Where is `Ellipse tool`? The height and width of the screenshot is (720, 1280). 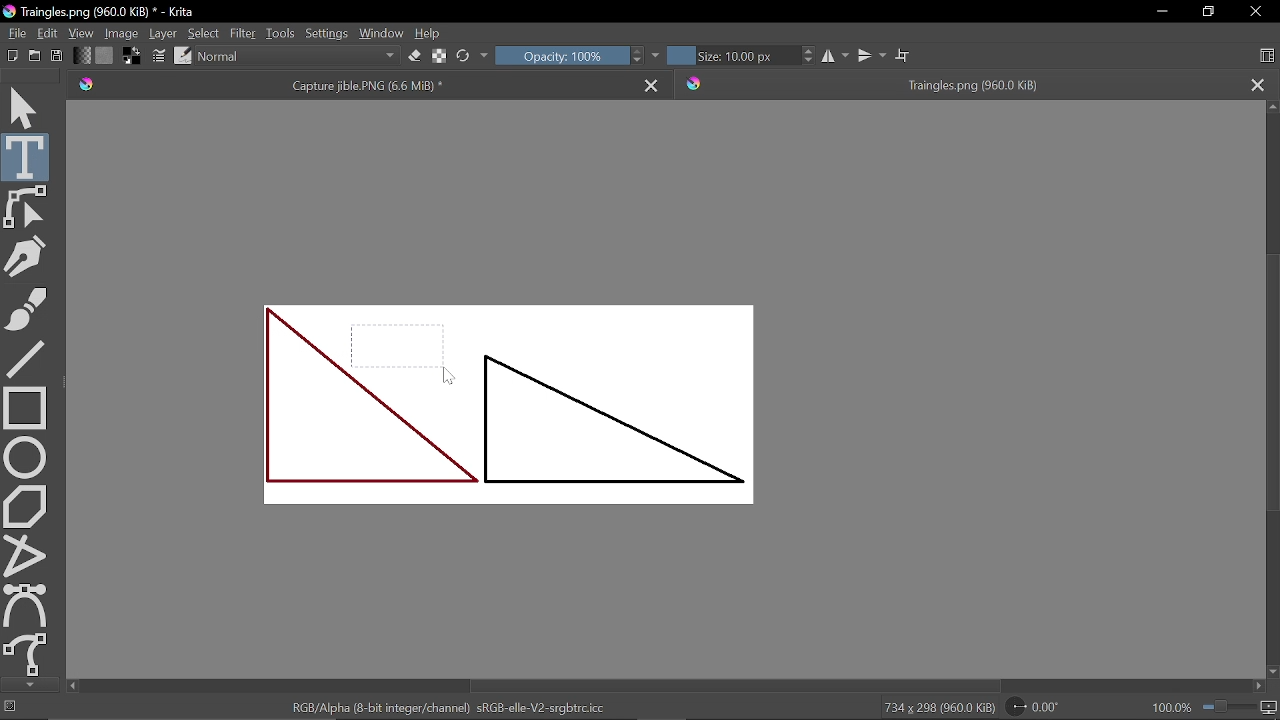
Ellipse tool is located at coordinates (25, 457).